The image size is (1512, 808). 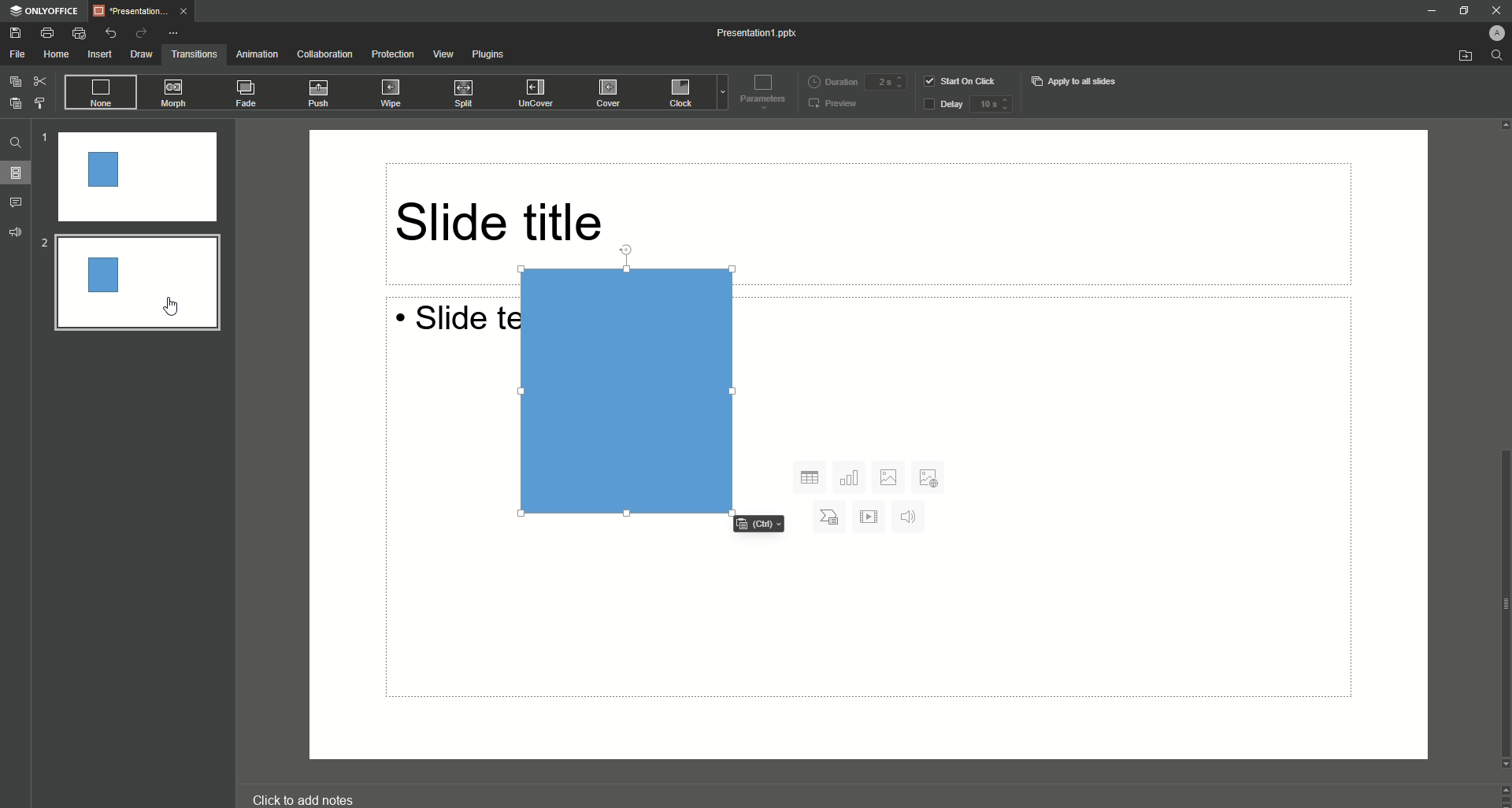 What do you see at coordinates (1491, 33) in the screenshot?
I see `Profile` at bounding box center [1491, 33].